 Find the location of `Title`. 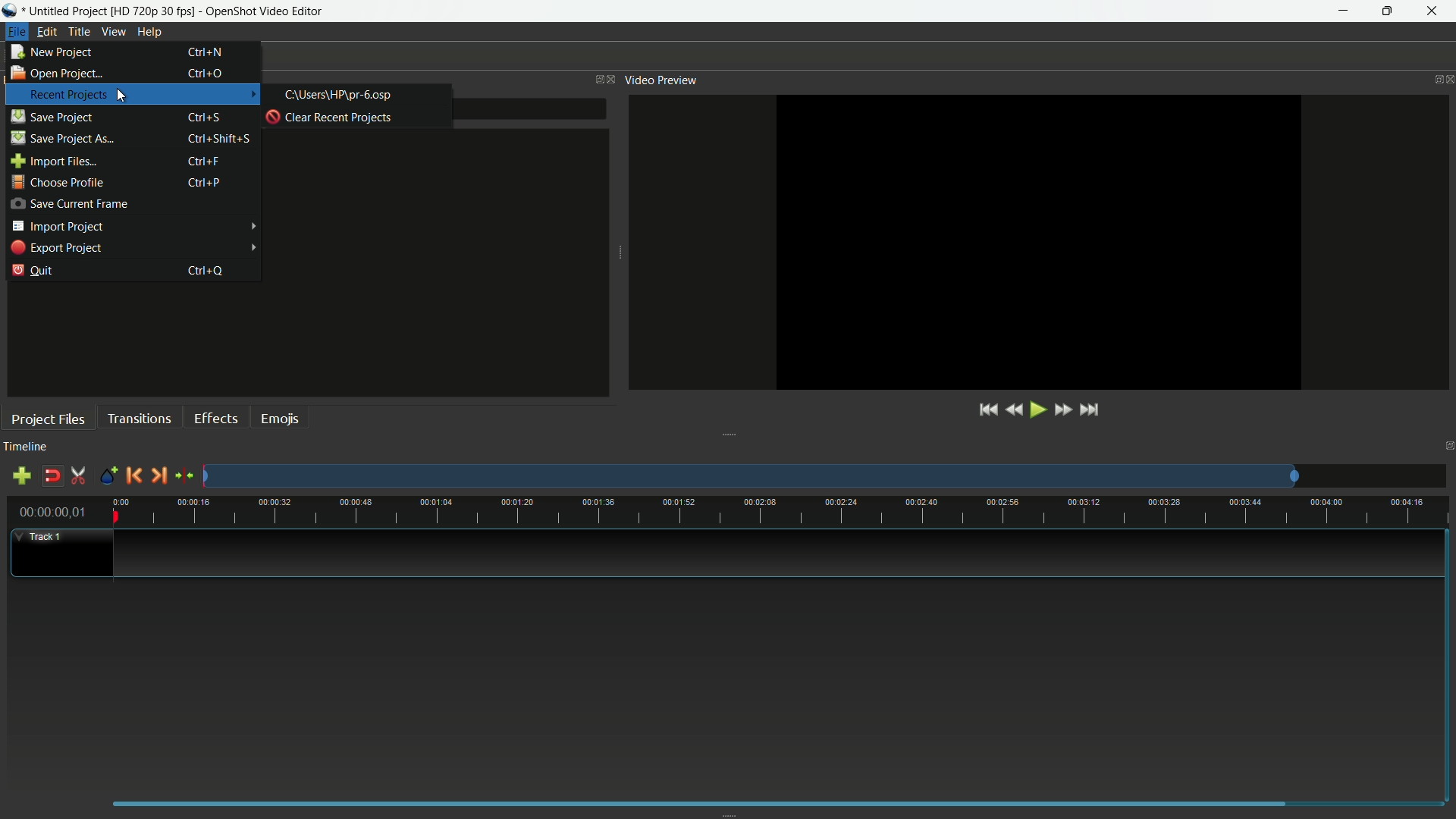

Title is located at coordinates (80, 33).